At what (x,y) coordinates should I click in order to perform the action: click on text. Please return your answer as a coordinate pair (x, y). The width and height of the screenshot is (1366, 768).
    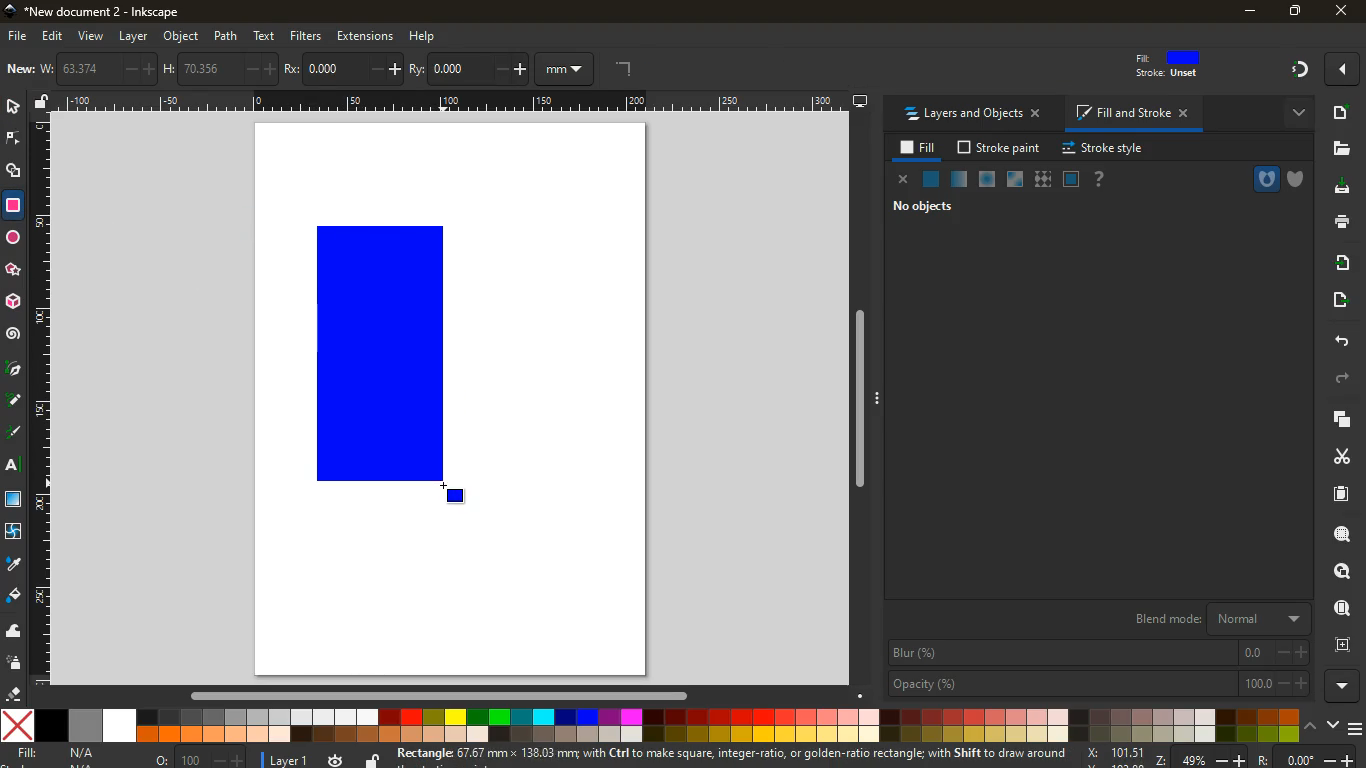
    Looking at the image, I should click on (15, 465).